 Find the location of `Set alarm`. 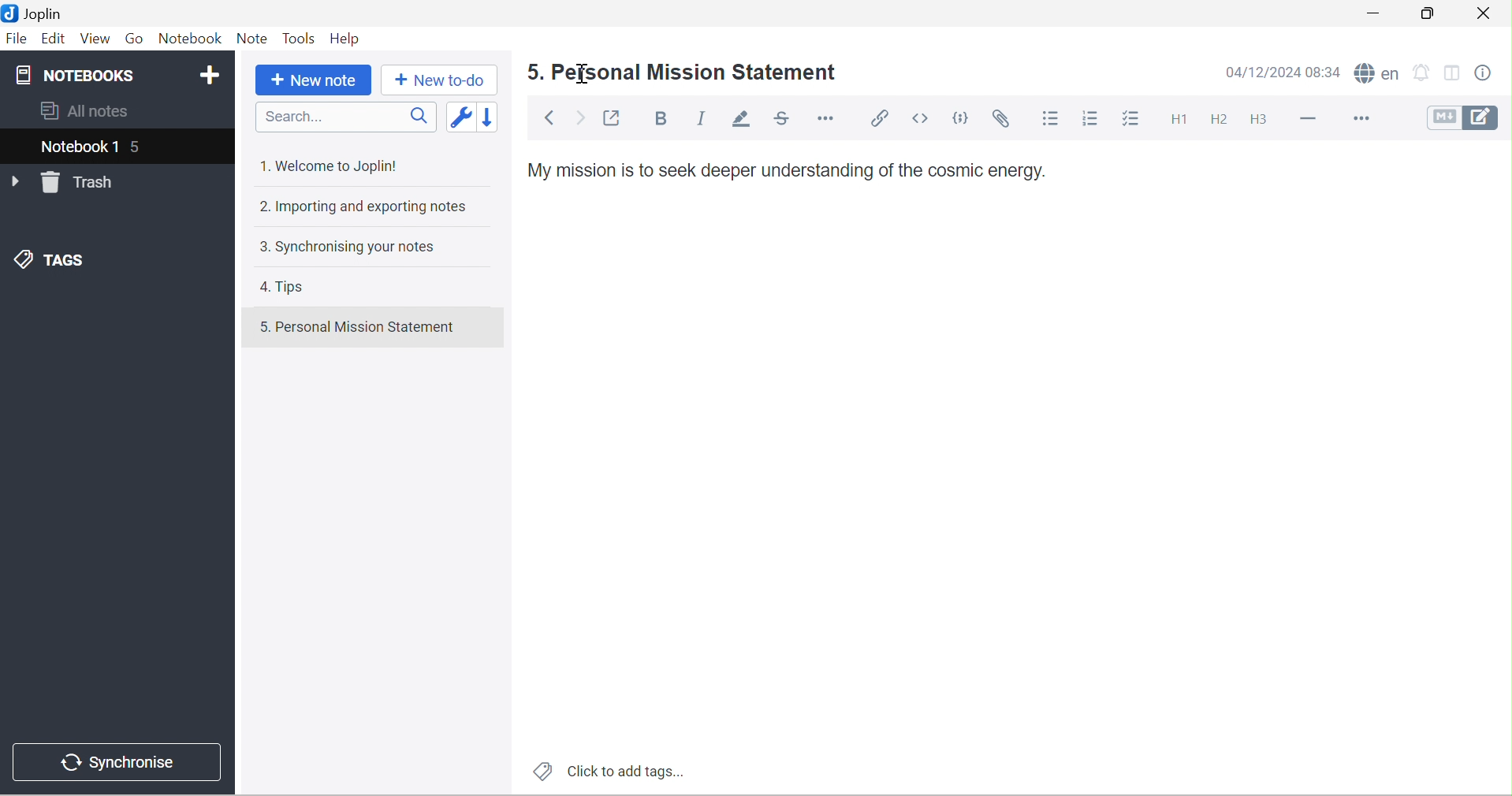

Set alarm is located at coordinates (1423, 74).